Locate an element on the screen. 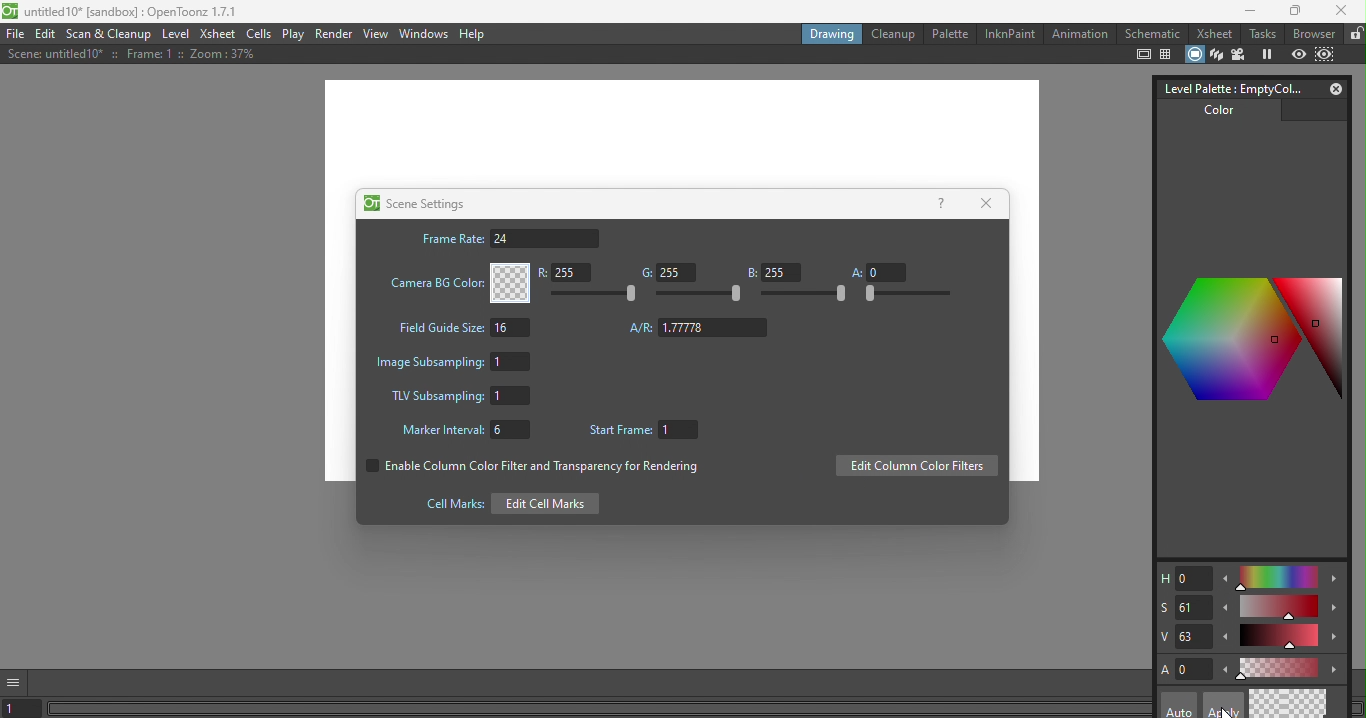 Image resolution: width=1366 pixels, height=718 pixels. Frame rate is located at coordinates (509, 238).